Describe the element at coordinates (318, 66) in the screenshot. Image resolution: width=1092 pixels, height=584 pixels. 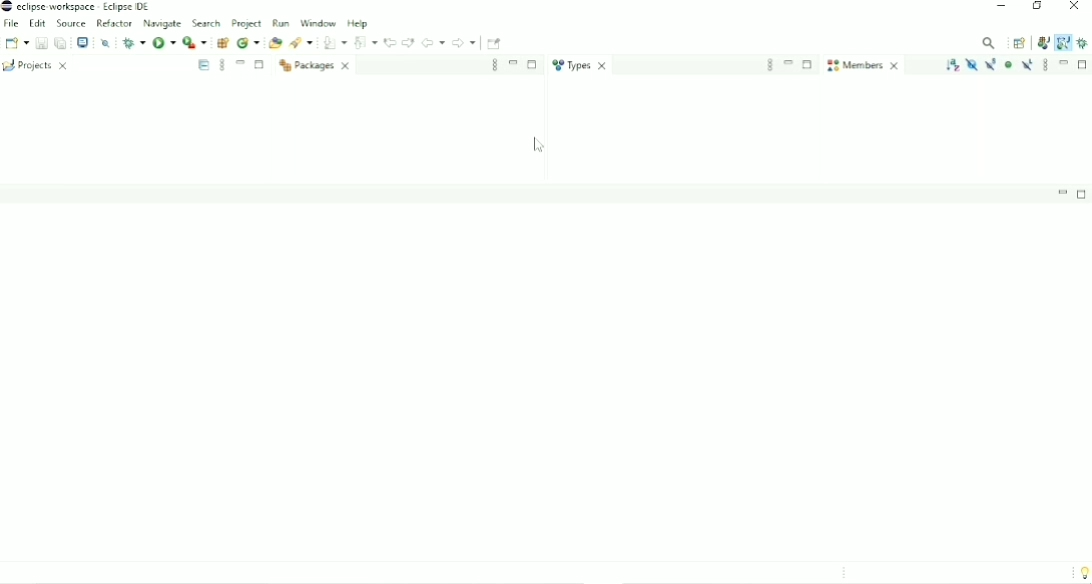
I see `Packages` at that location.